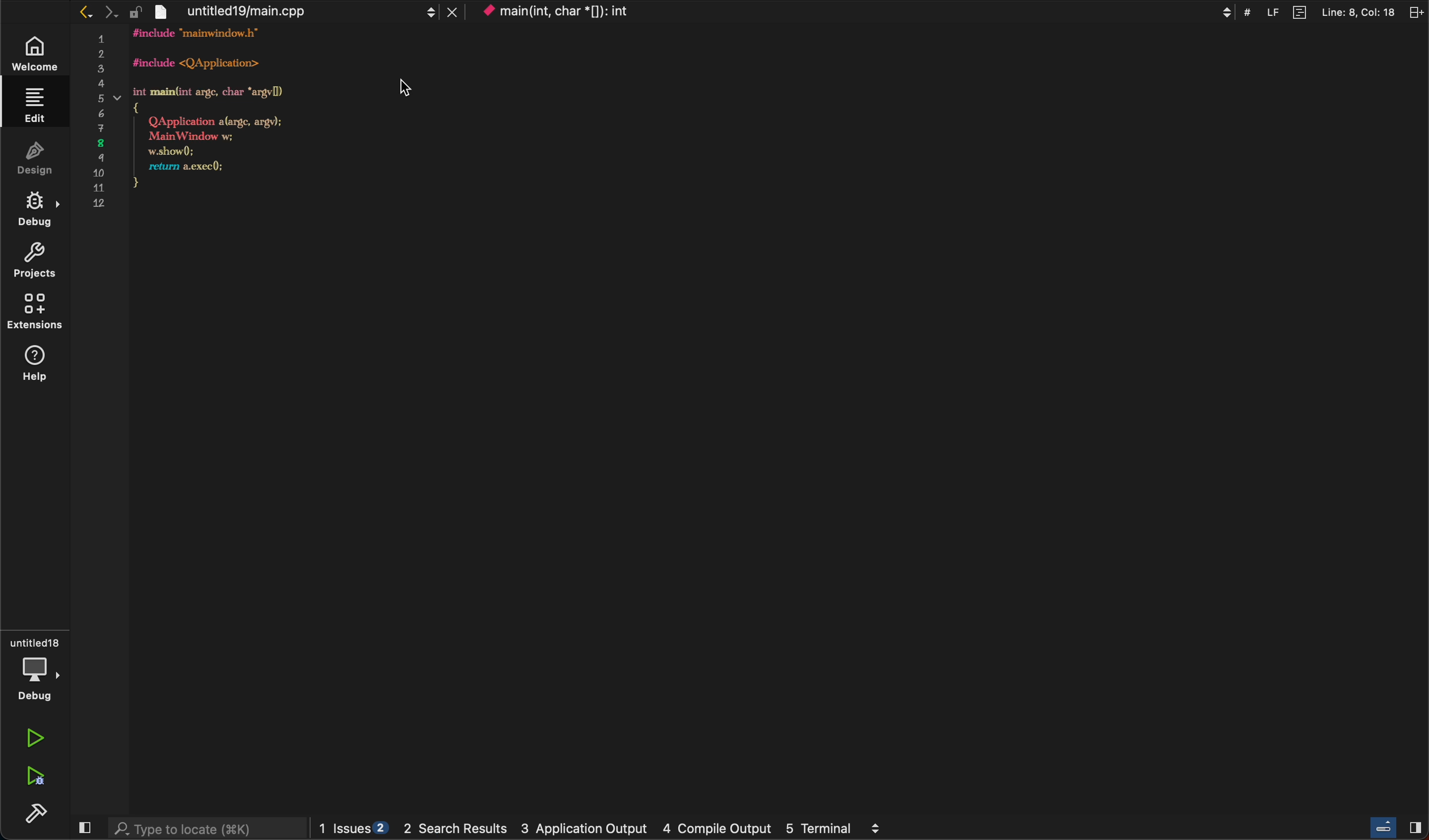 The image size is (1429, 840). I want to click on searchbar, so click(206, 827).